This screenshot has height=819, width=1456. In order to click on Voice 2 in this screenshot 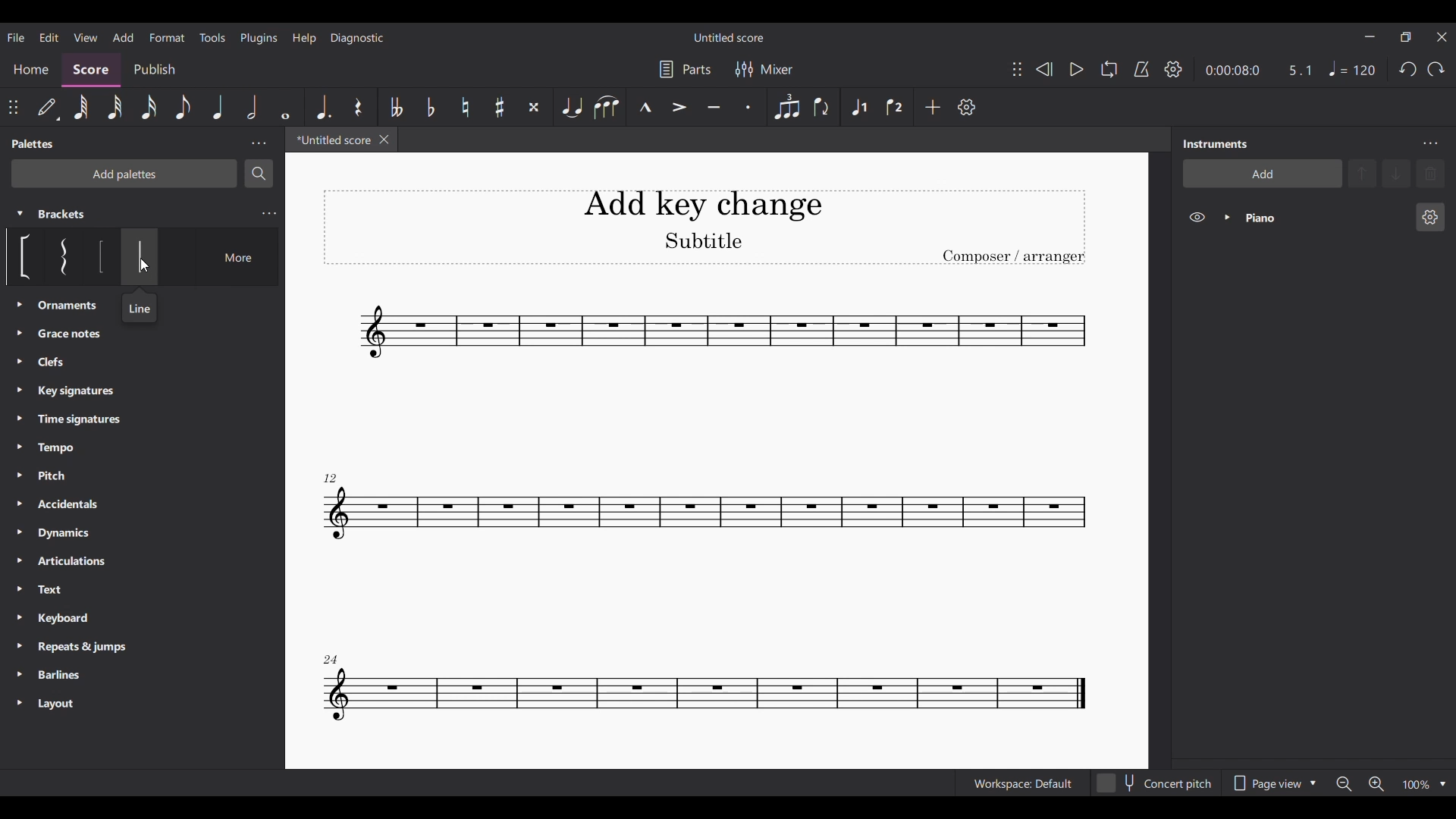, I will do `click(893, 107)`.